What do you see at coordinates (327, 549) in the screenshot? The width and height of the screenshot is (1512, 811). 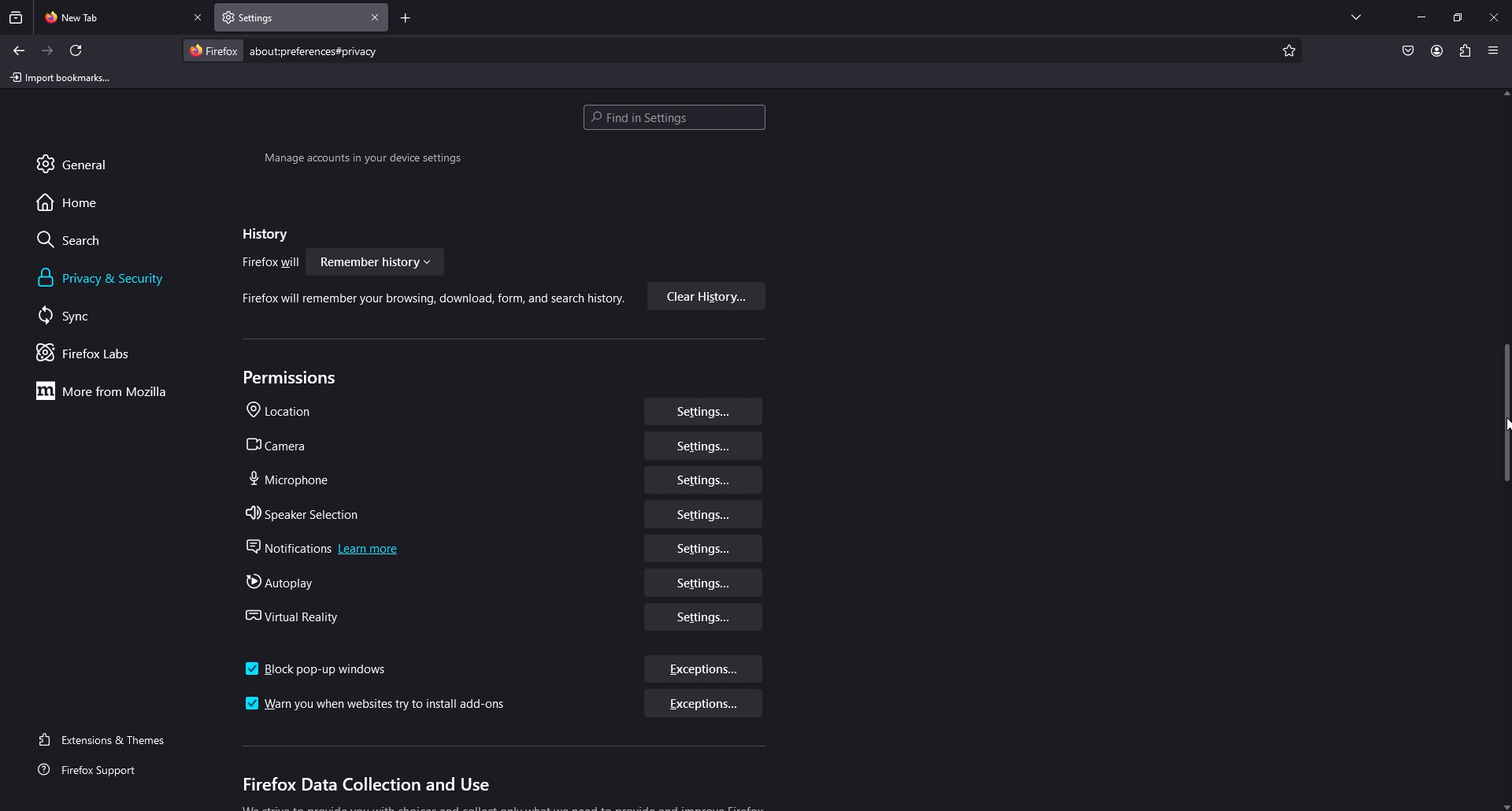 I see `notifications` at bounding box center [327, 549].